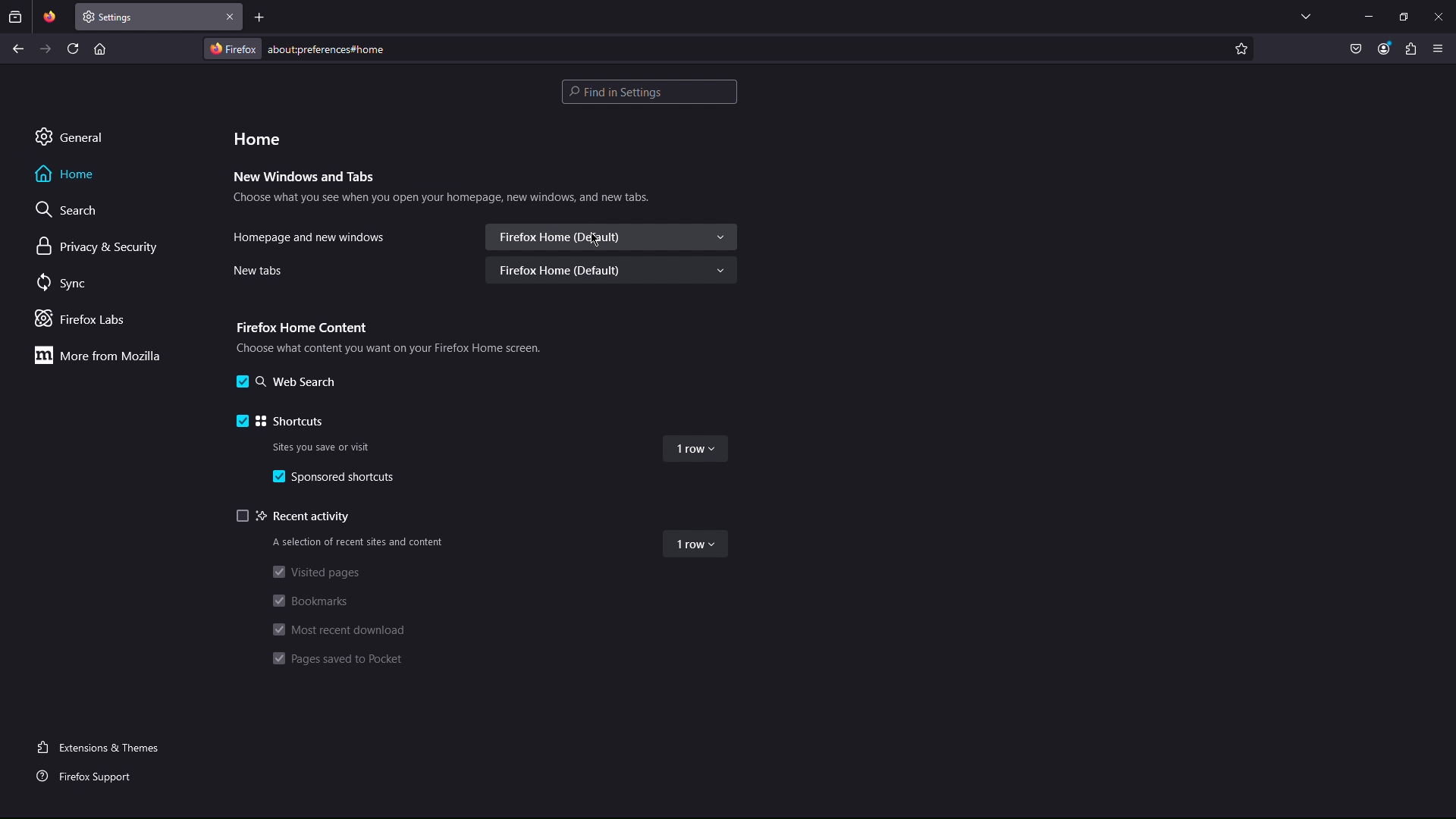 Image resolution: width=1456 pixels, height=819 pixels. What do you see at coordinates (96, 355) in the screenshot?
I see `More from Mozilla` at bounding box center [96, 355].